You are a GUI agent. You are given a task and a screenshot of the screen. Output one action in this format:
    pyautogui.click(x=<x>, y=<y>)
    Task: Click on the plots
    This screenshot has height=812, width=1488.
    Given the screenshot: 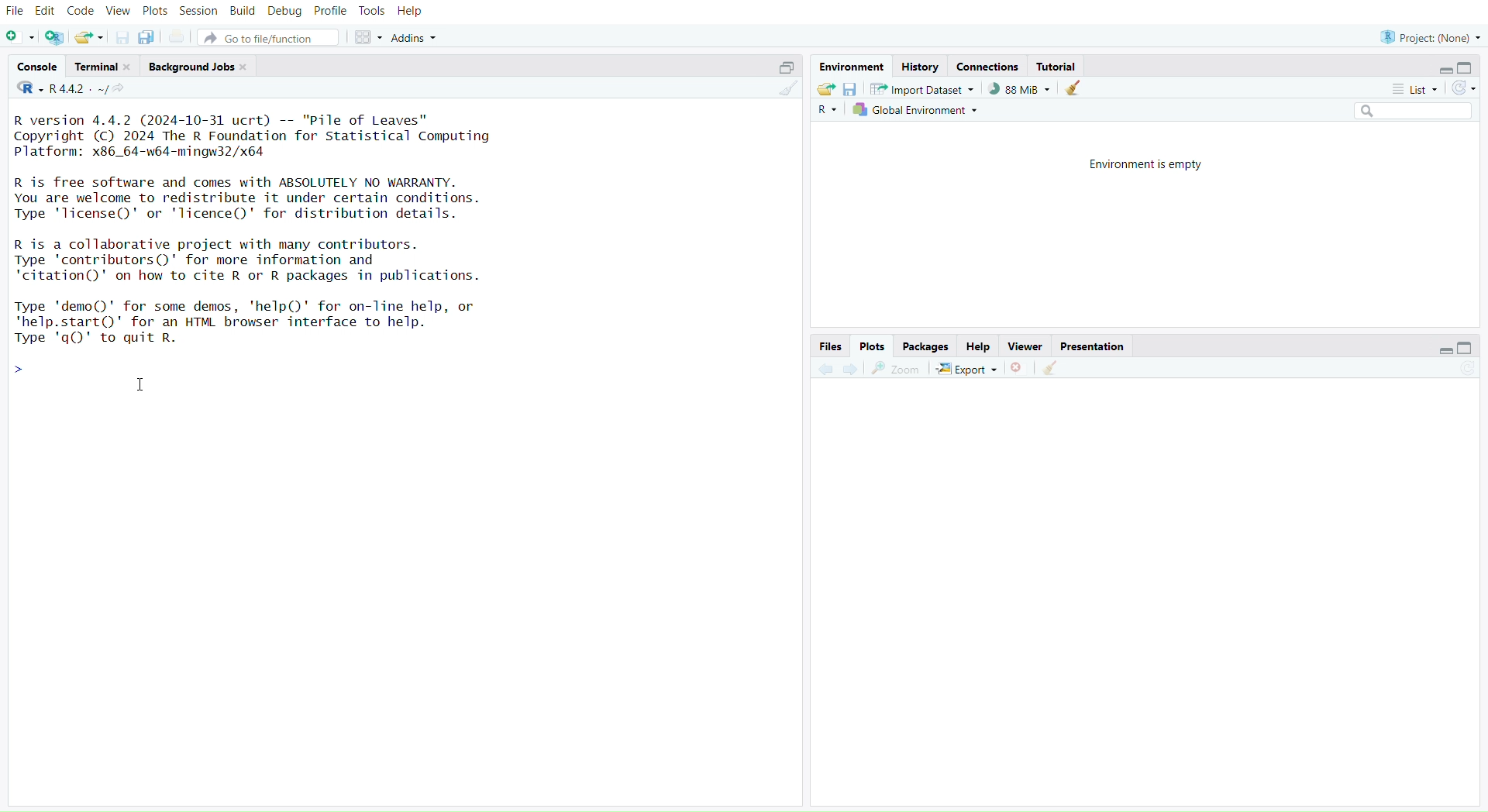 What is the action you would take?
    pyautogui.click(x=155, y=11)
    